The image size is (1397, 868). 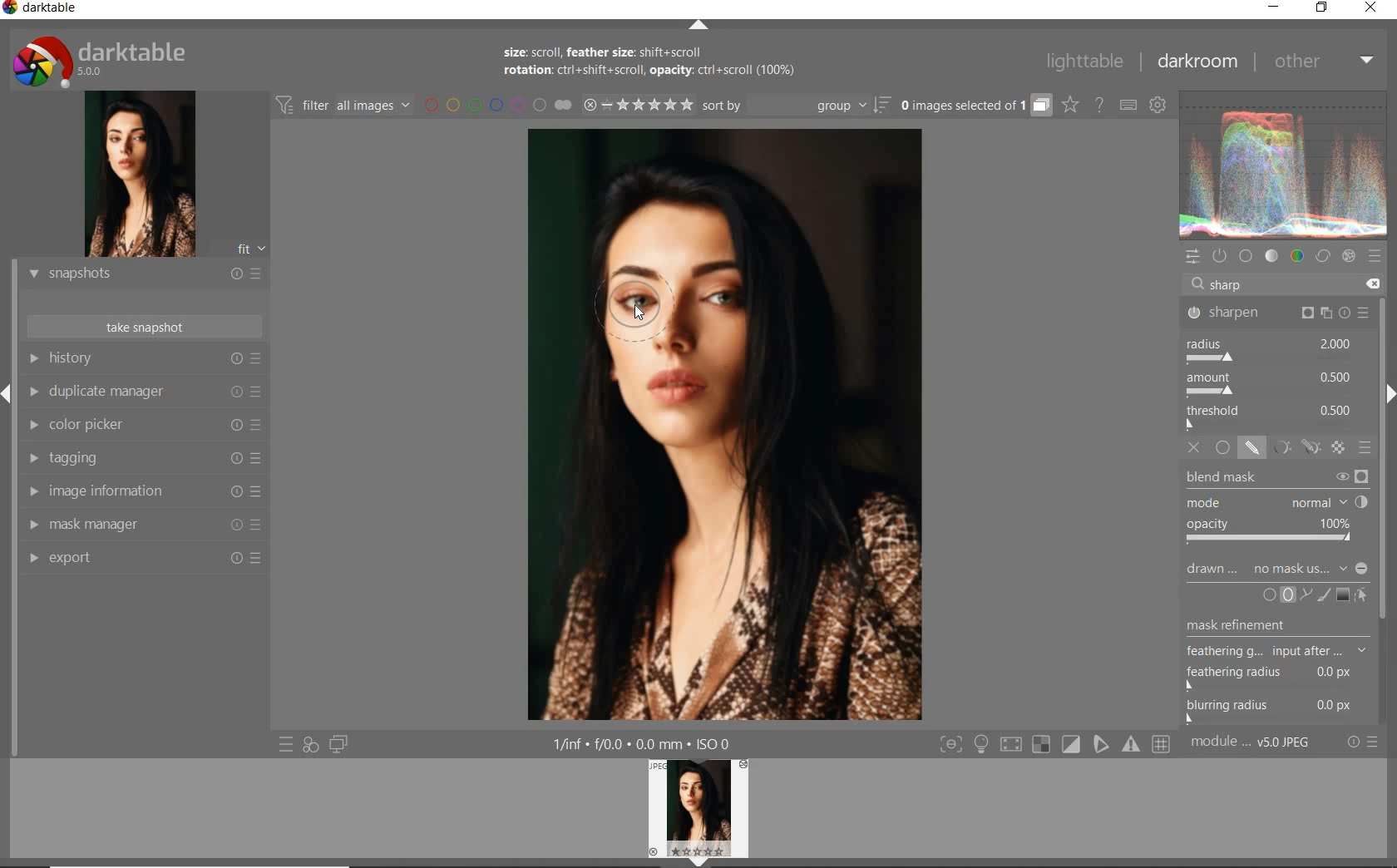 I want to click on mask options, so click(x=1293, y=447).